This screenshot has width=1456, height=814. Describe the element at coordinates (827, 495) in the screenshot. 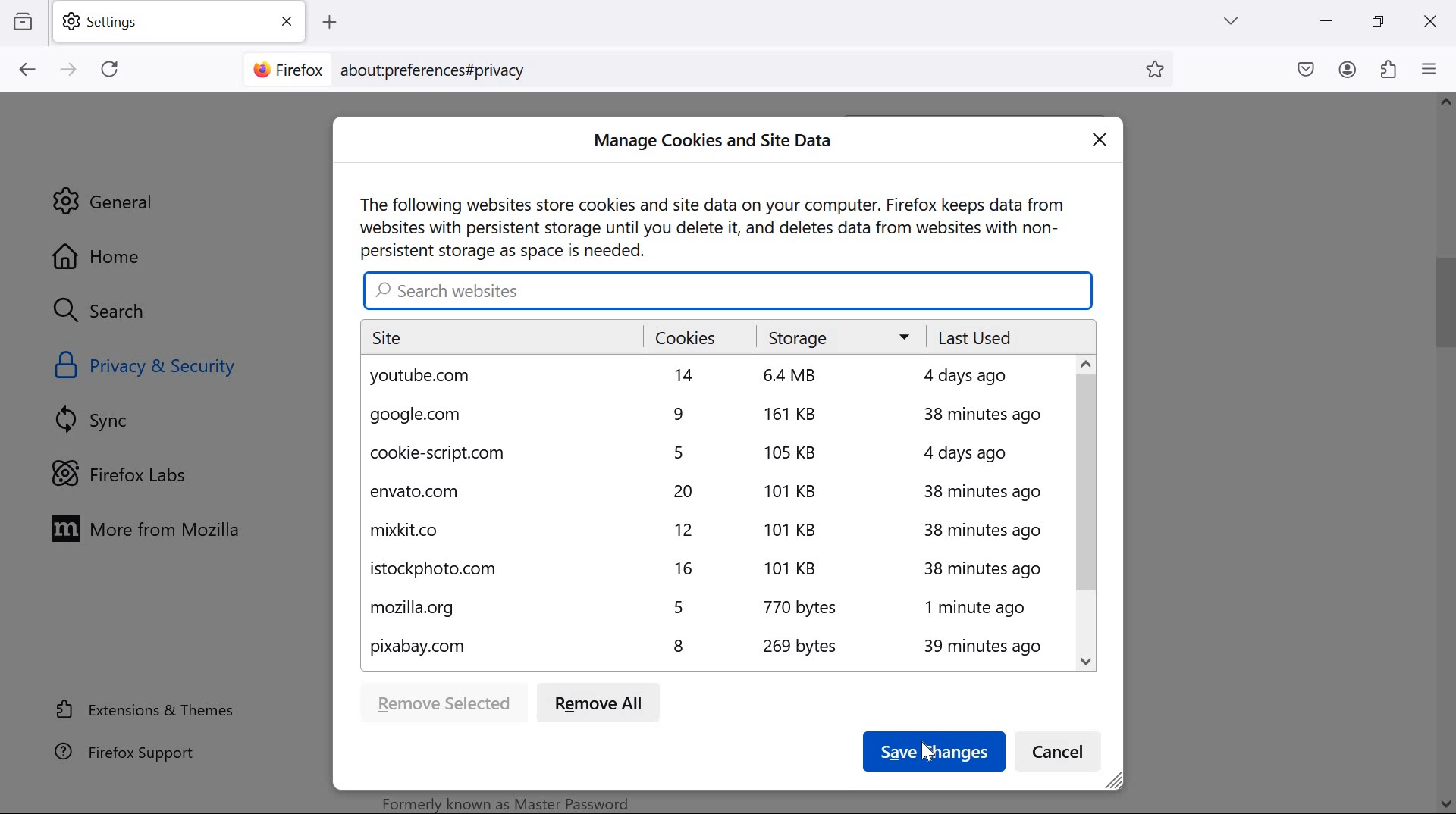

I see `Storage =
6.4 MB

161 KB

105 KB

101 KB

101 KB

101 KB

770 bytes

269 bytes` at that location.